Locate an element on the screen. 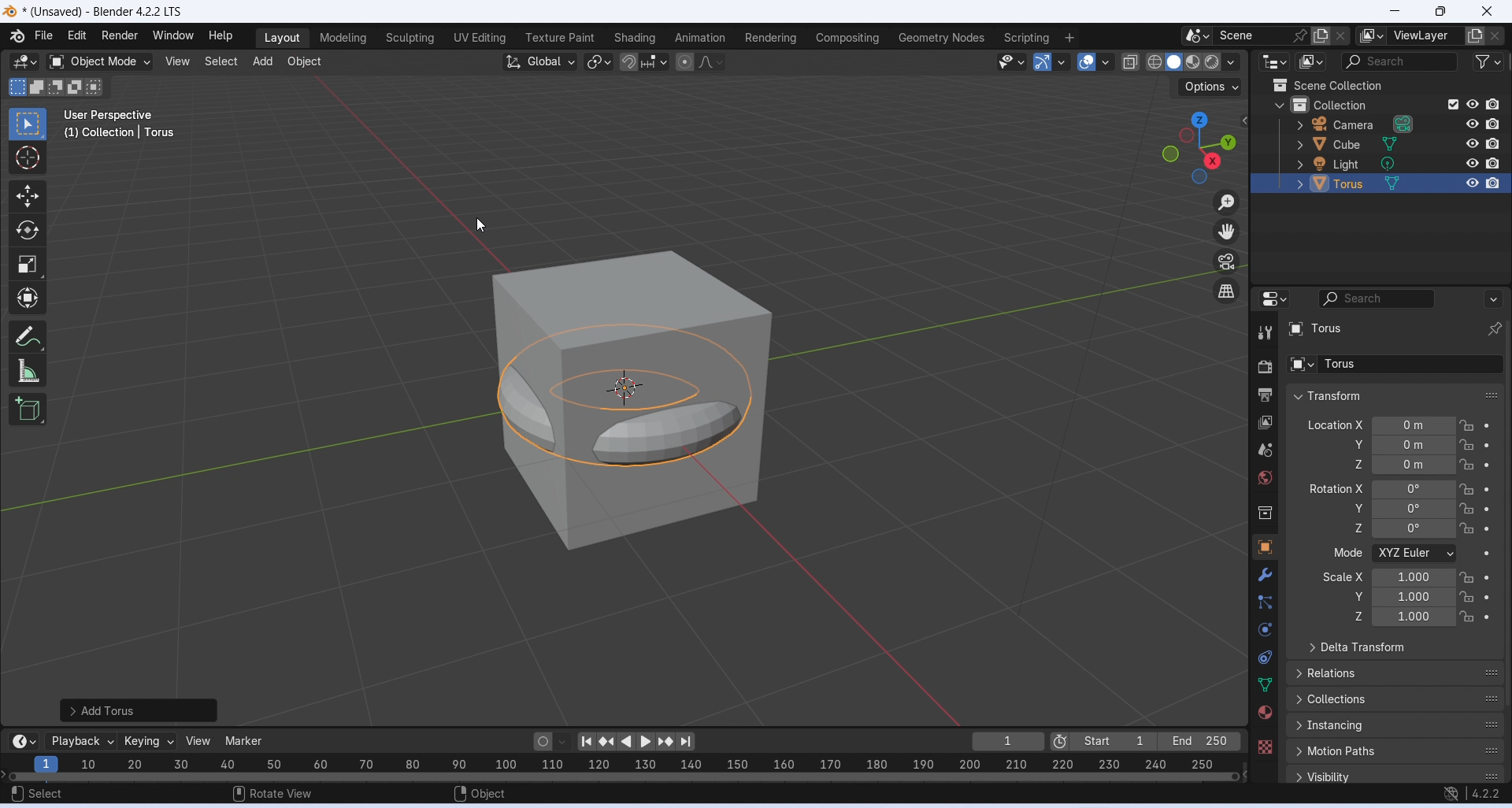 This screenshot has height=808, width=1512. Search is located at coordinates (1395, 61).